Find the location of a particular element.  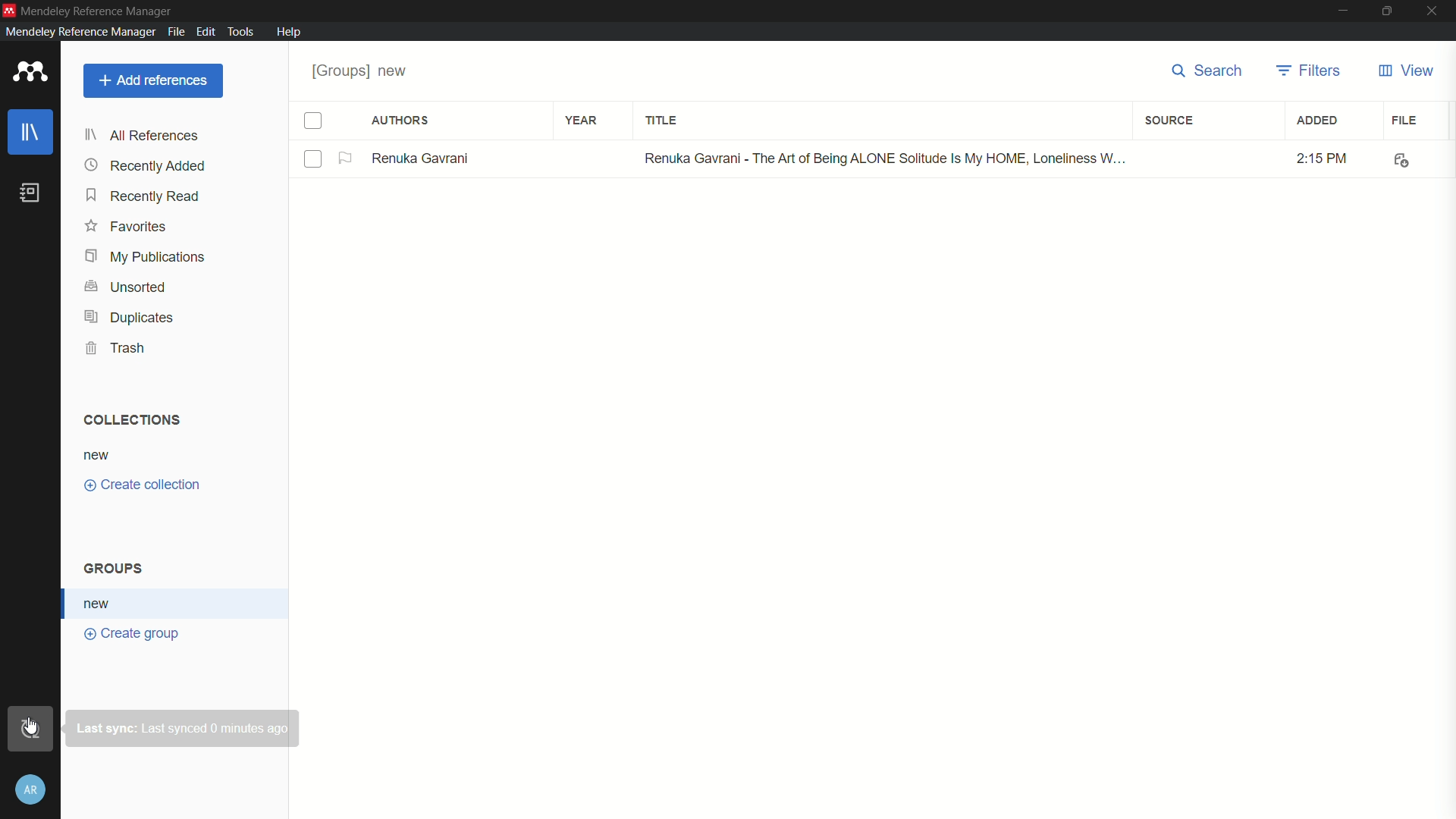

trash is located at coordinates (118, 347).